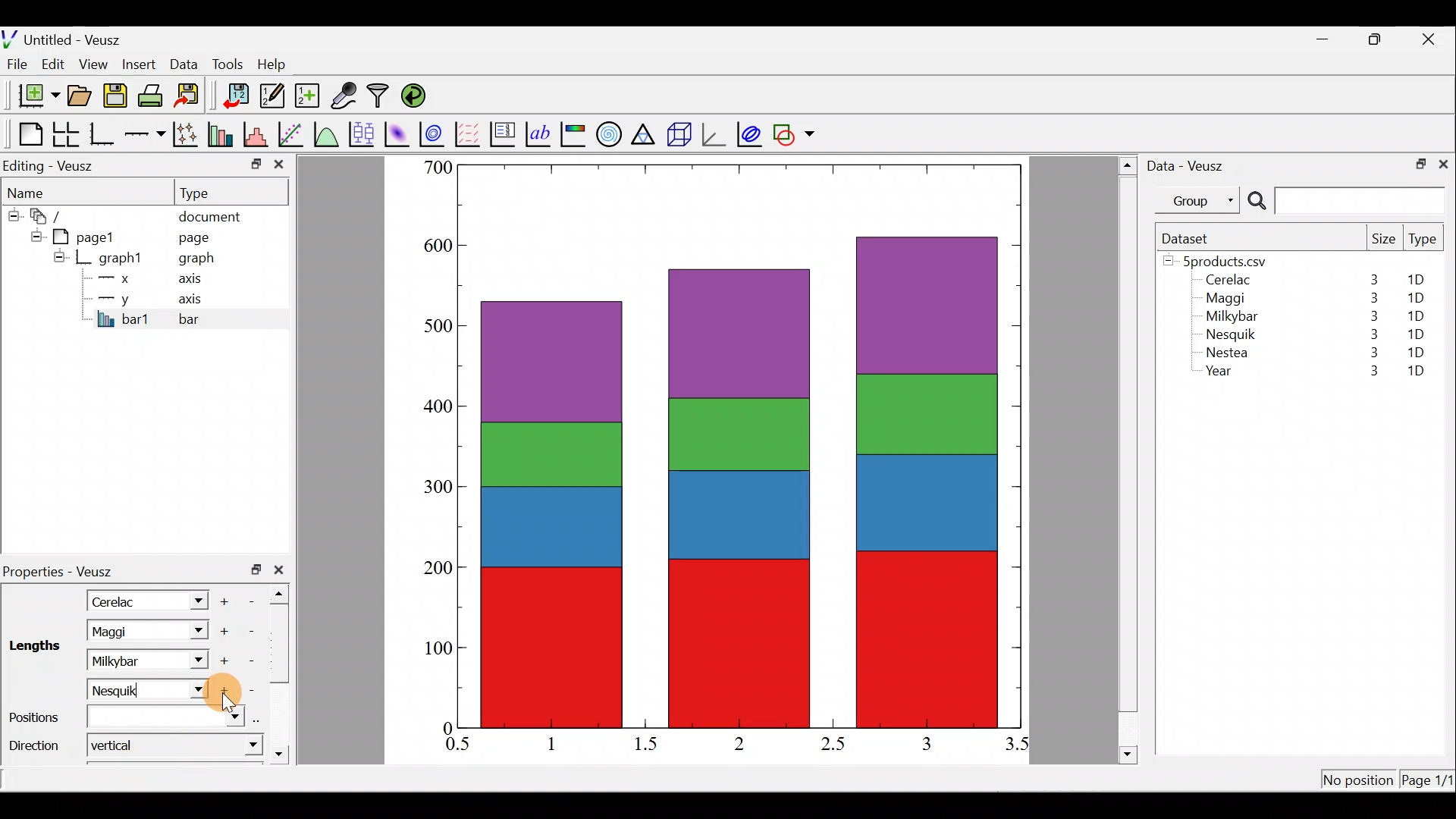  Describe the element at coordinates (237, 745) in the screenshot. I see `direction dropdown` at that location.